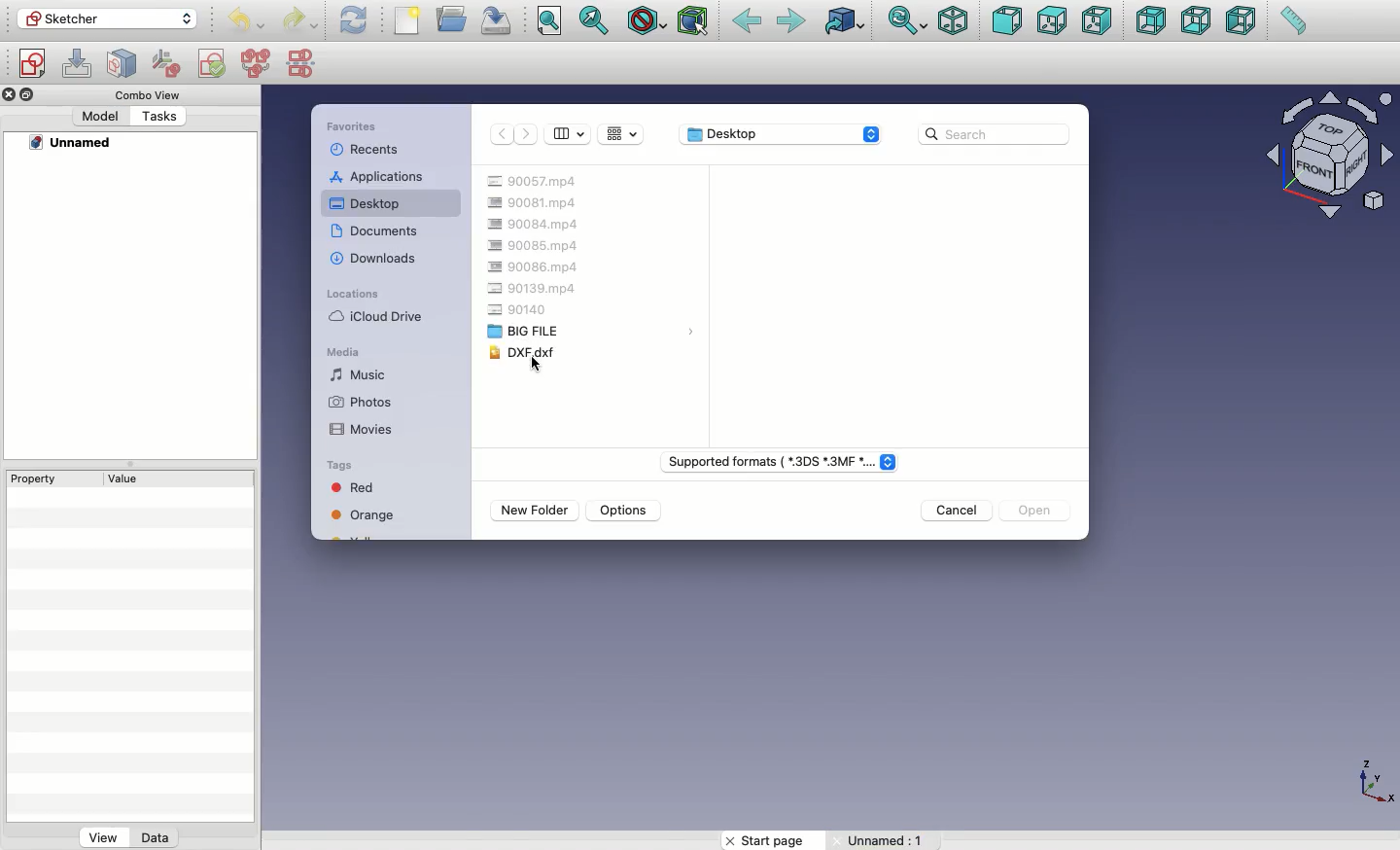 The image size is (1400, 850). Describe the element at coordinates (1099, 22) in the screenshot. I see `Right` at that location.